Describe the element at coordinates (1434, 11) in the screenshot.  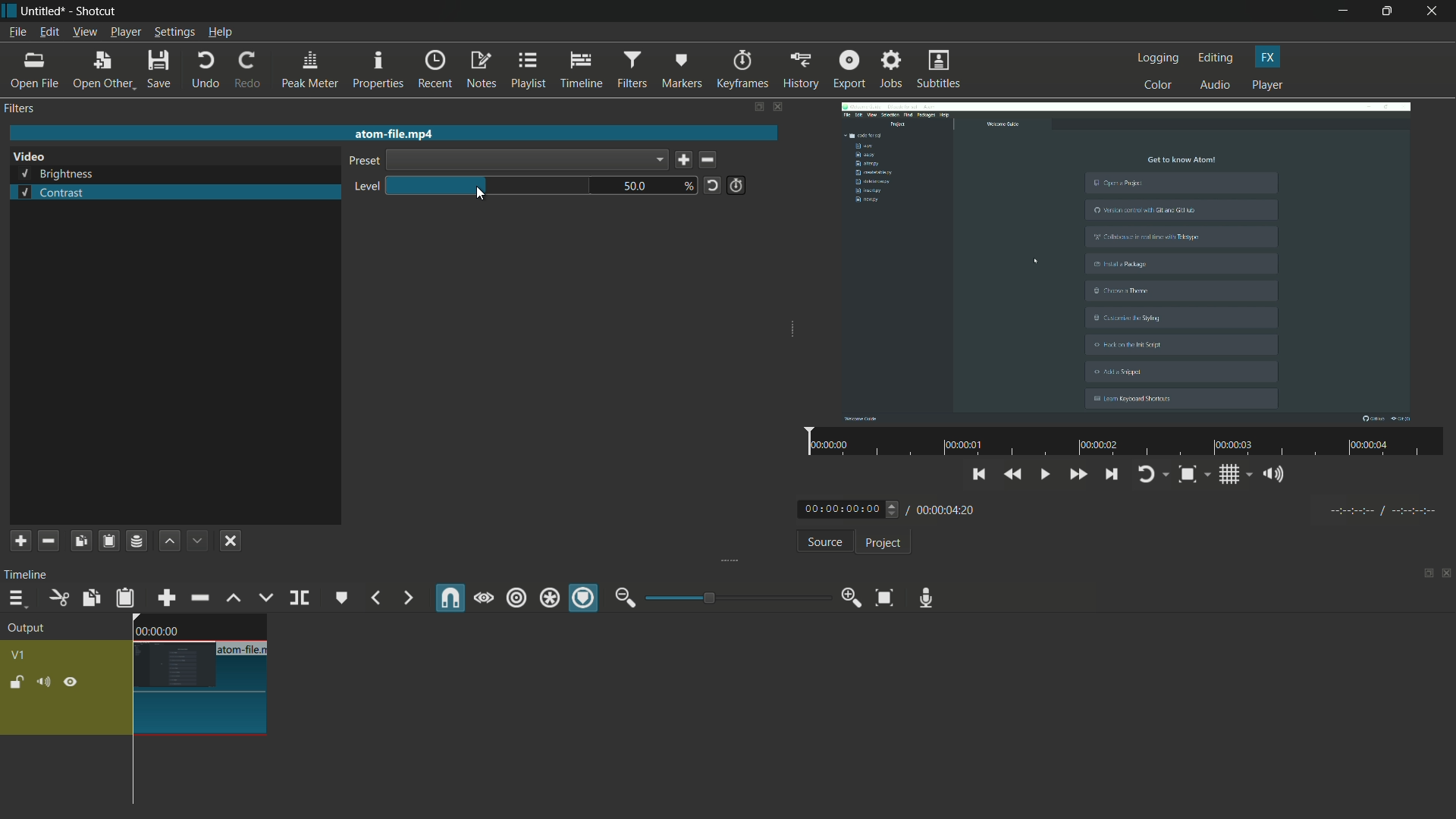
I see `close app` at that location.